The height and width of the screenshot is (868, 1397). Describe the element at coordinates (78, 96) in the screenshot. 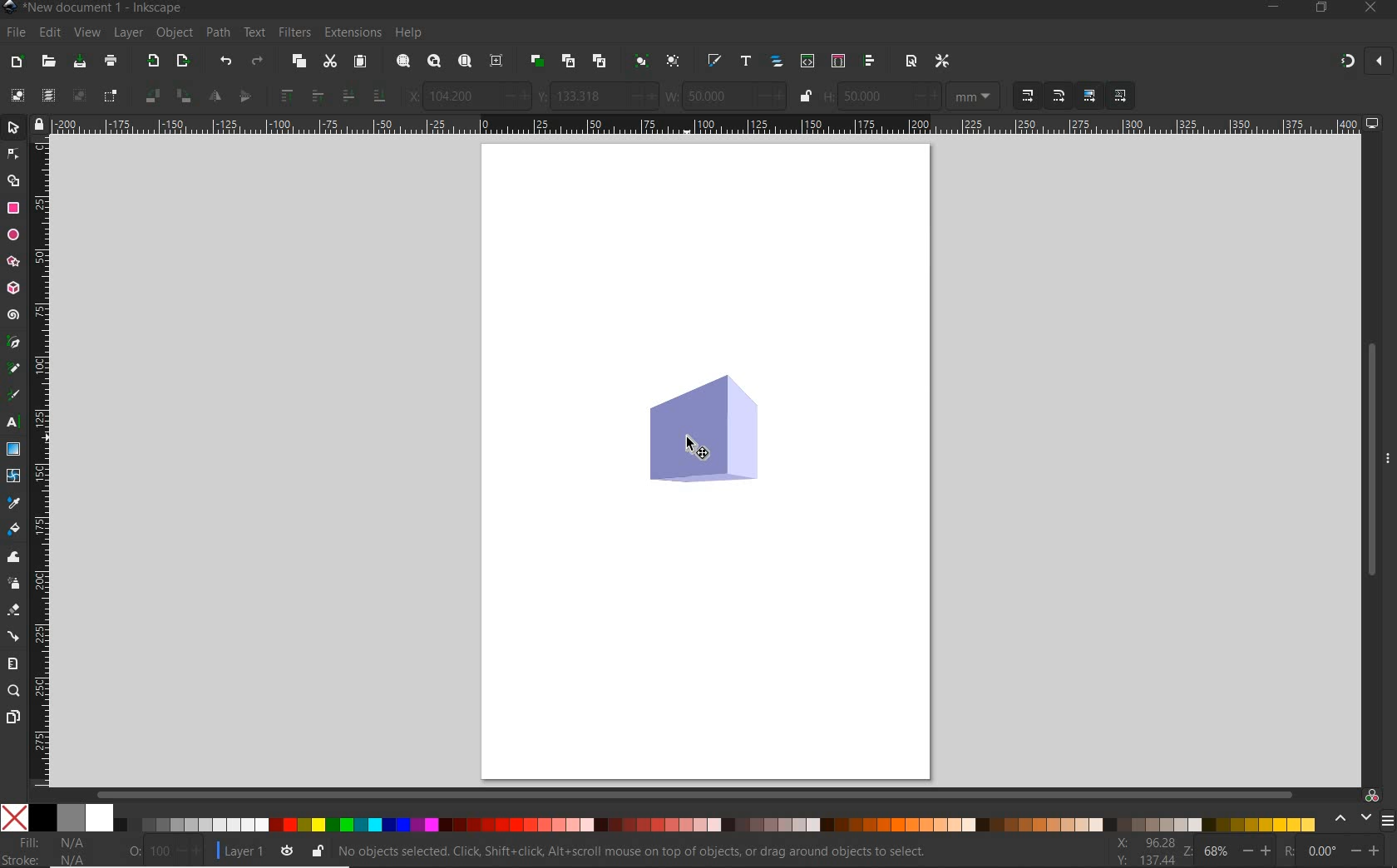

I see `deselect` at that location.